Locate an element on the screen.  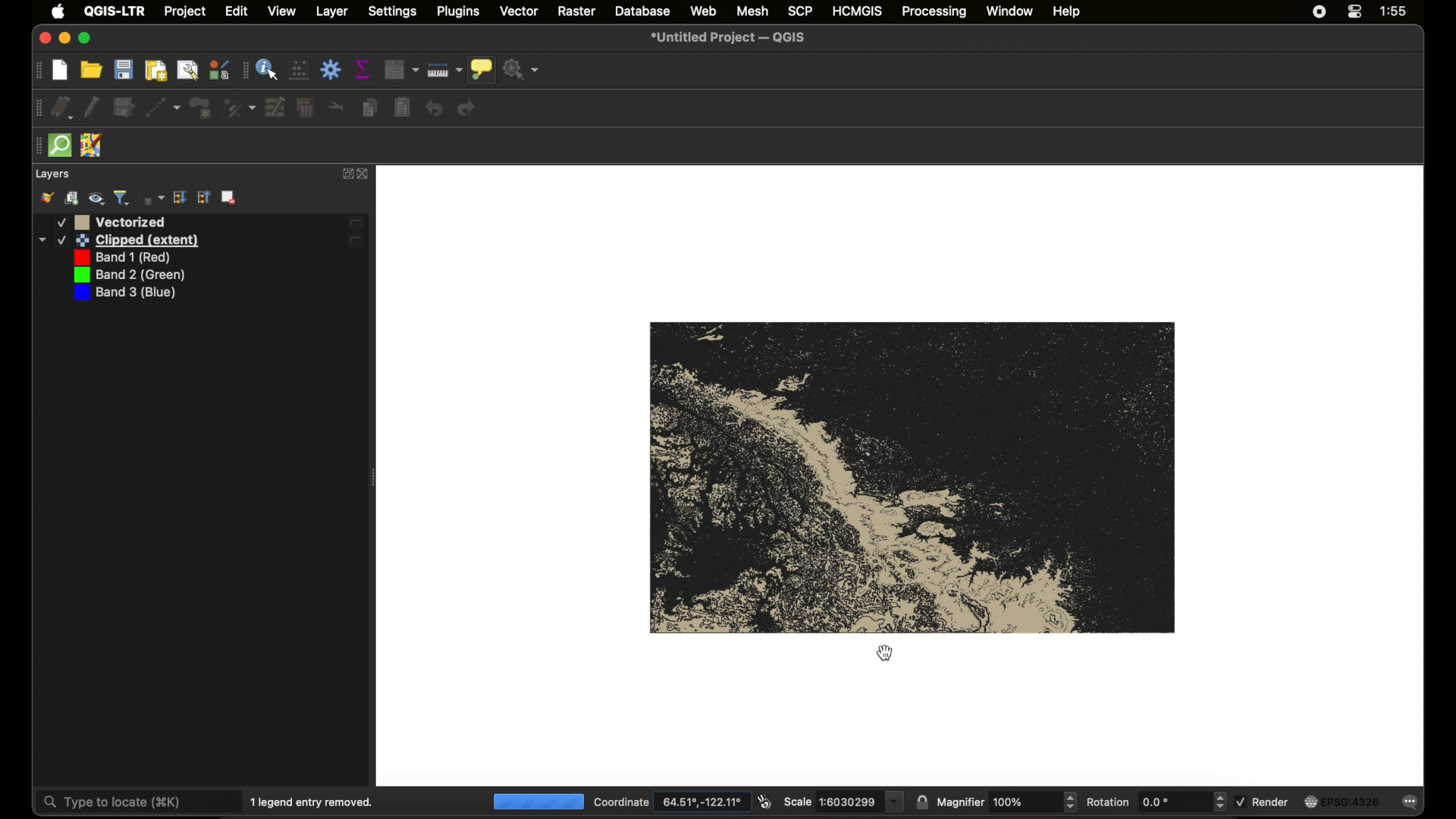
drag handle is located at coordinates (37, 71).